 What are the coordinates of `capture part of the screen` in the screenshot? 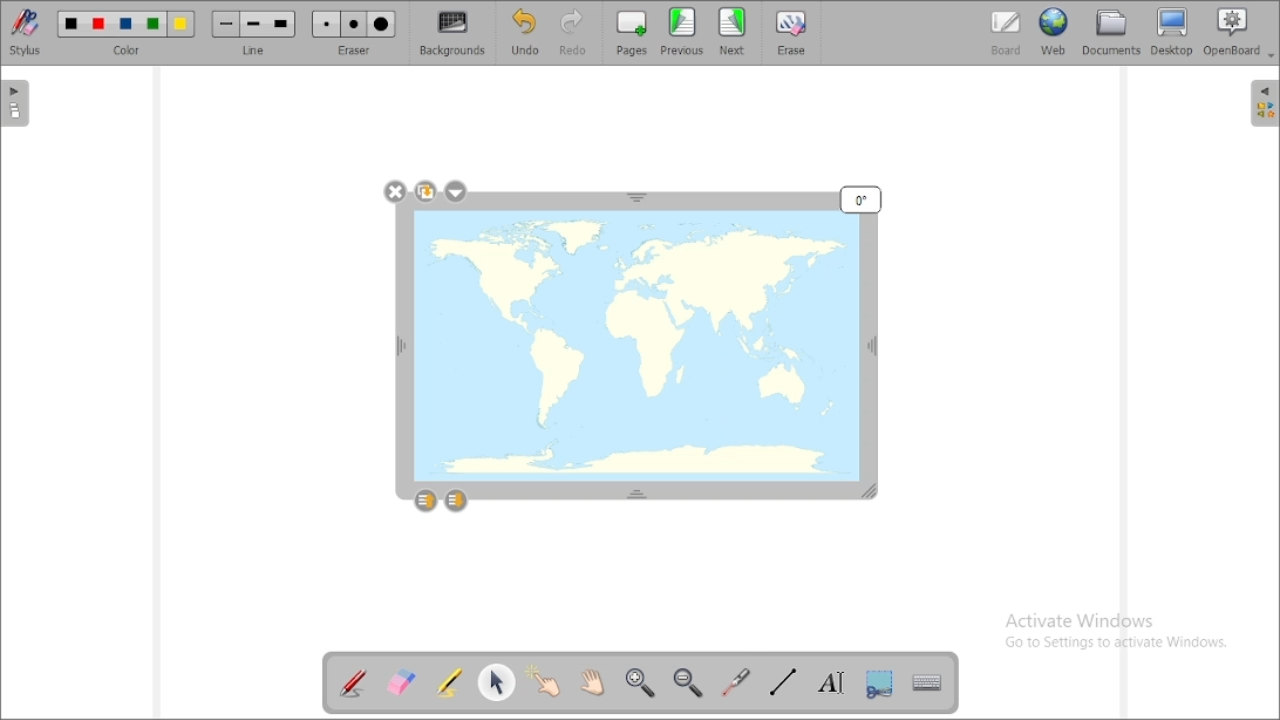 It's located at (880, 684).